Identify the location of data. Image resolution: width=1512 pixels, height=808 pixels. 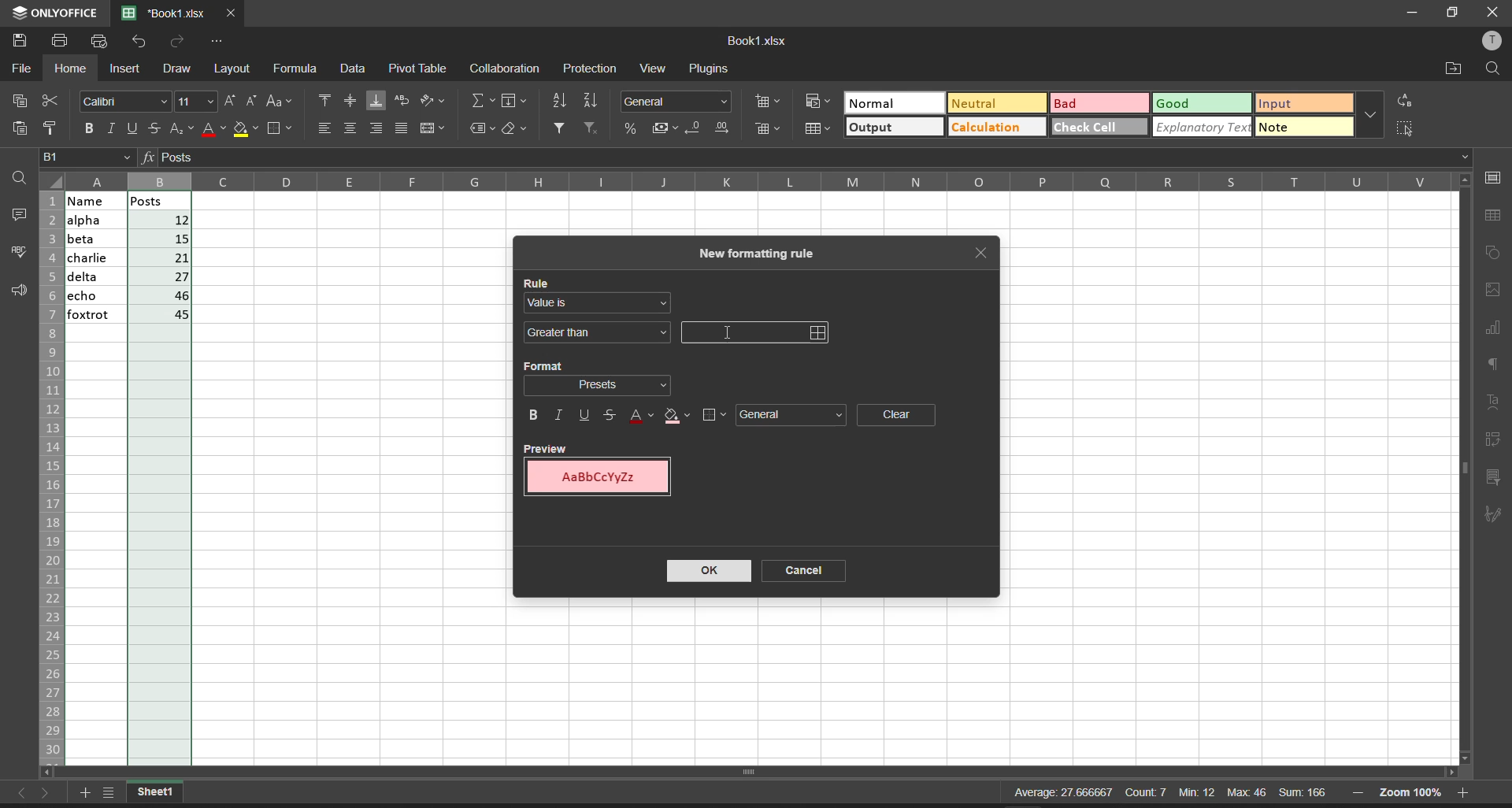
(356, 69).